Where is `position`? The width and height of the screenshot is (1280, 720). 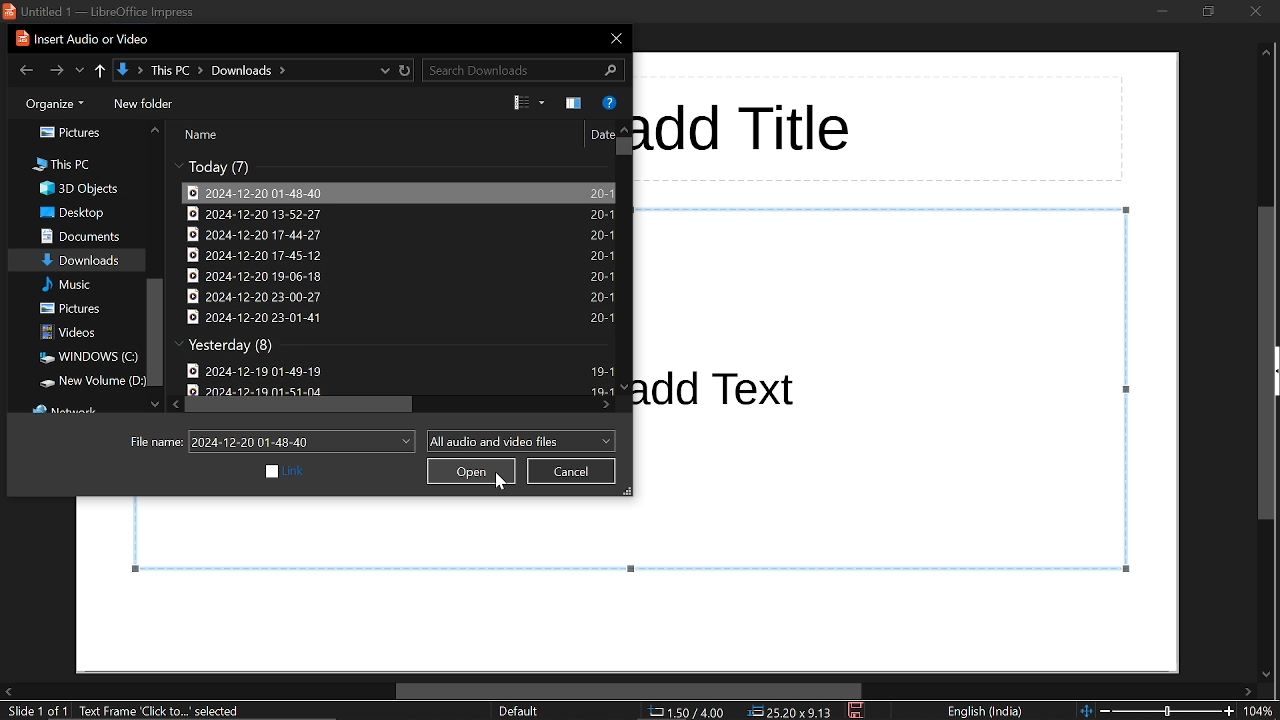 position is located at coordinates (791, 711).